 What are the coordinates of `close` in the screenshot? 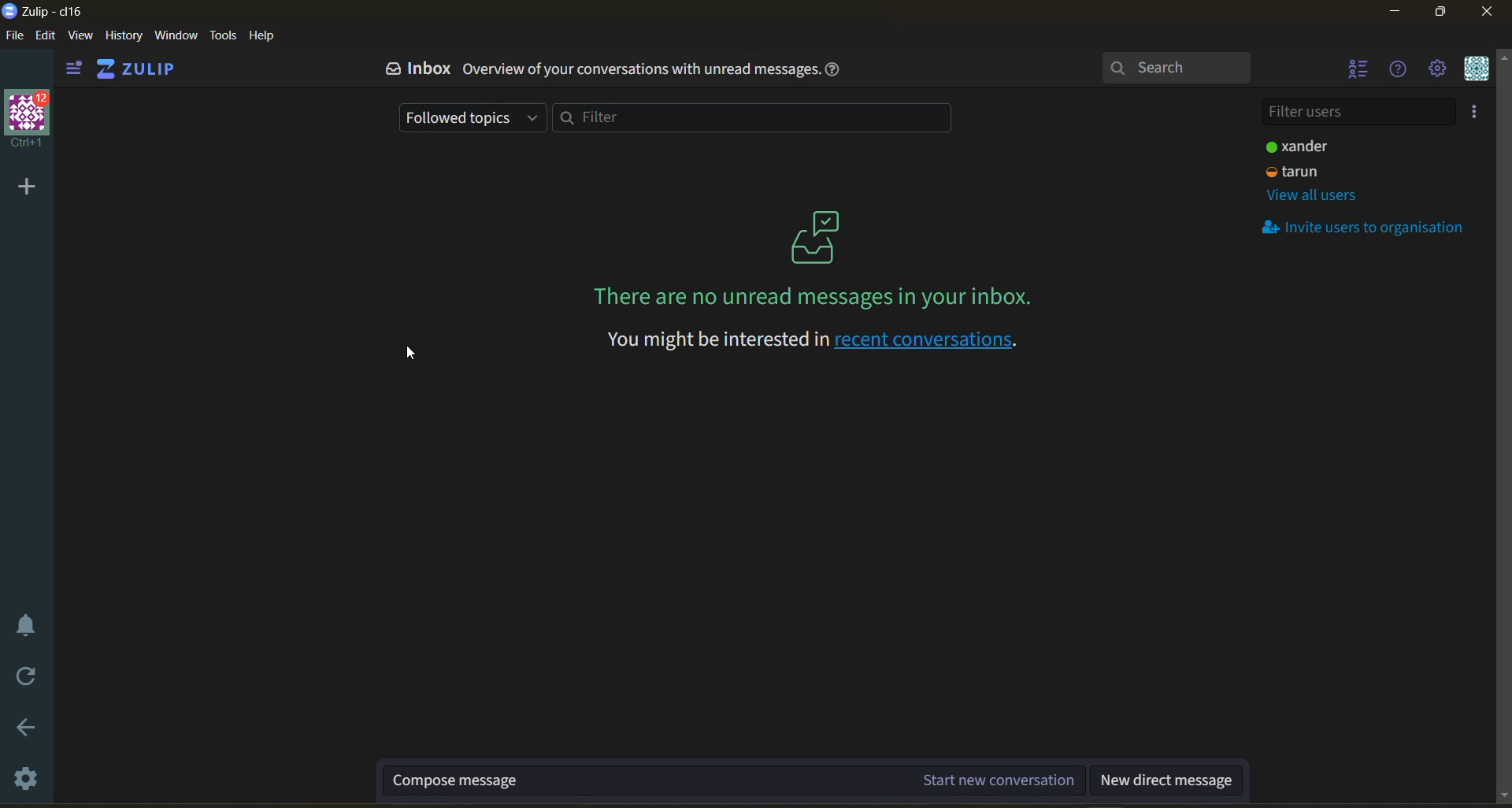 It's located at (1484, 10).